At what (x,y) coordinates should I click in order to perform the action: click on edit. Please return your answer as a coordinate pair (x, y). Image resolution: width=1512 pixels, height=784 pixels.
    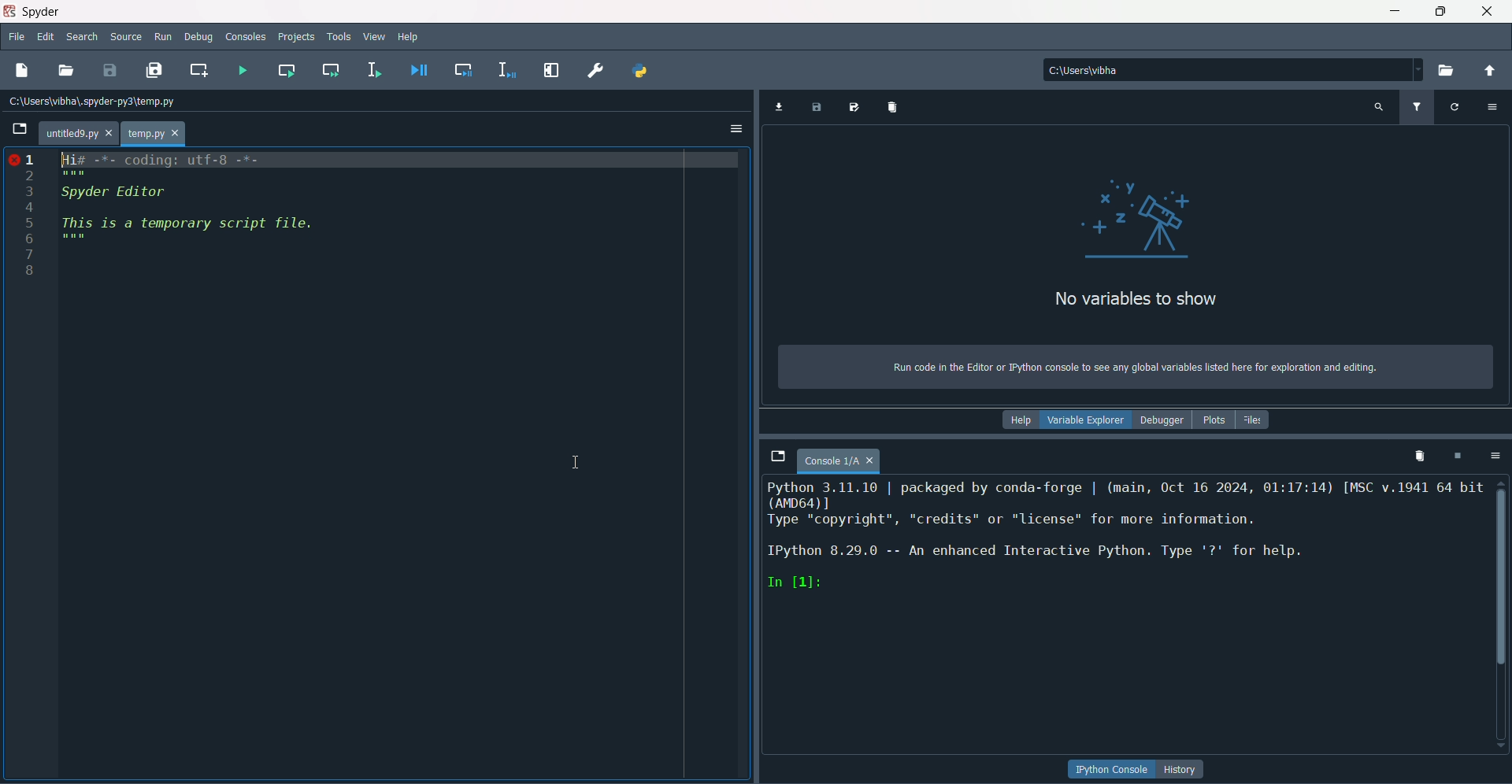
    Looking at the image, I should click on (48, 38).